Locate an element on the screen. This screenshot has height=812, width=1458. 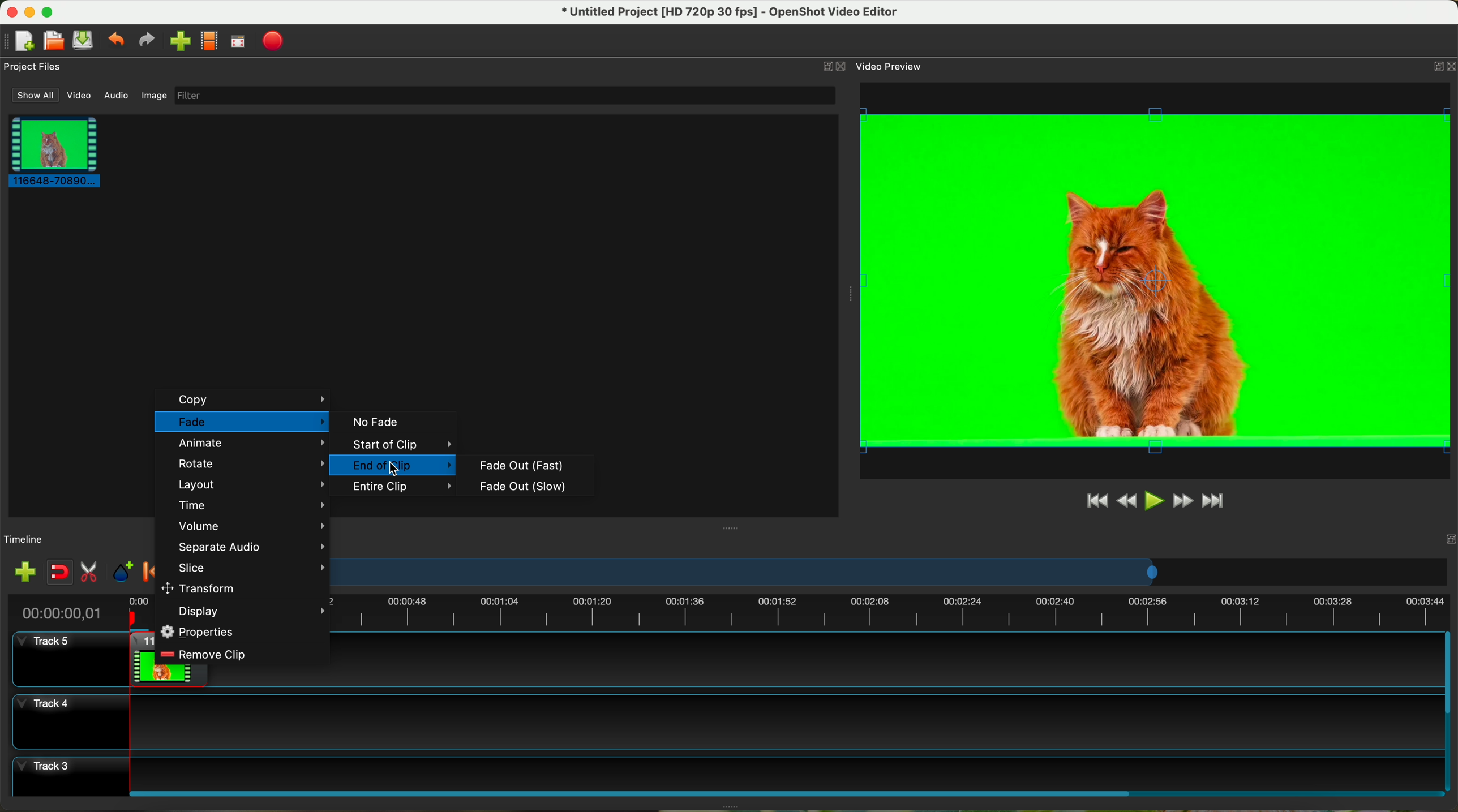
rewind is located at coordinates (1128, 501).